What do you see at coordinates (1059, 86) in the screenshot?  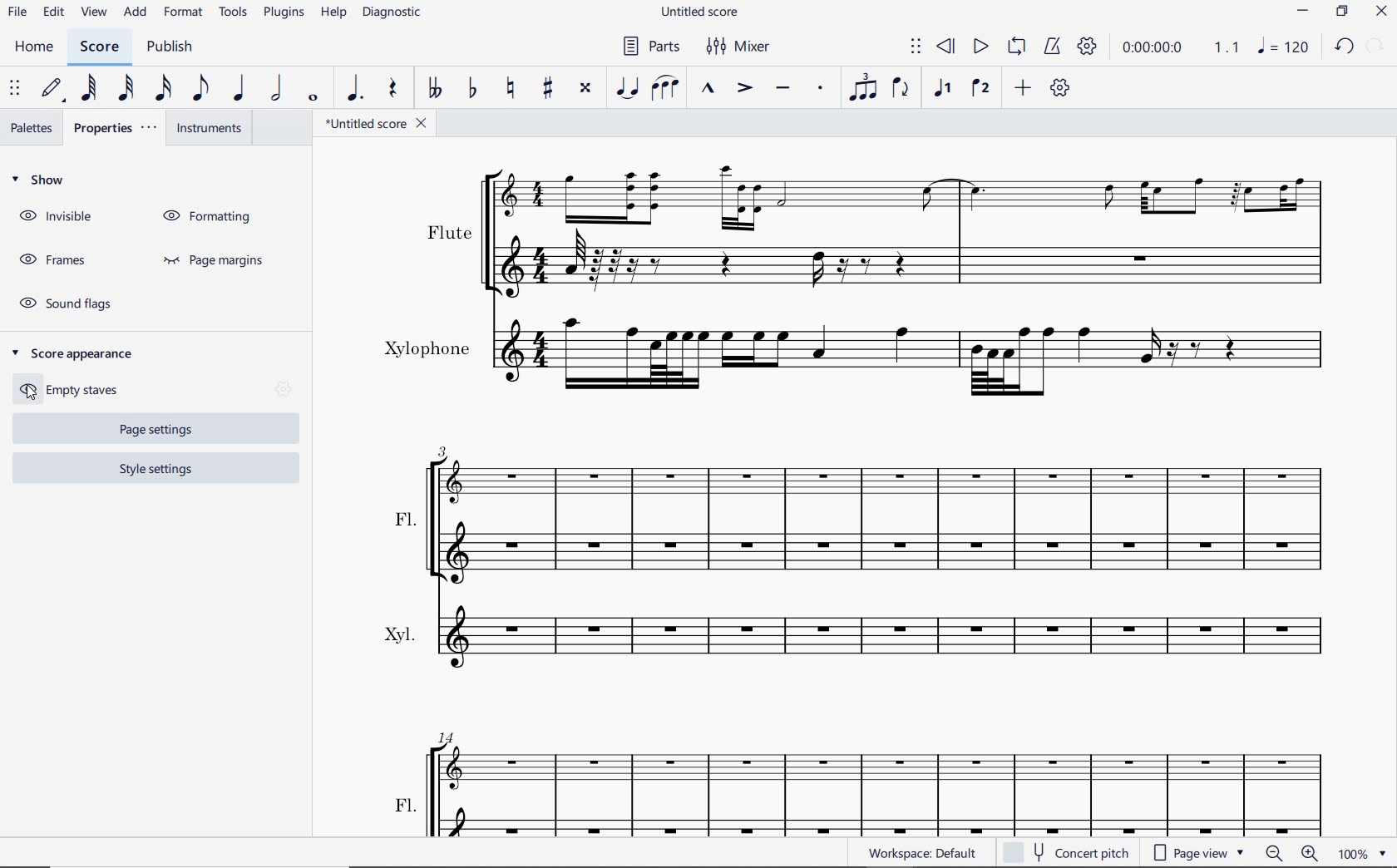 I see `CUSTOMIZE TOOLBAR` at bounding box center [1059, 86].